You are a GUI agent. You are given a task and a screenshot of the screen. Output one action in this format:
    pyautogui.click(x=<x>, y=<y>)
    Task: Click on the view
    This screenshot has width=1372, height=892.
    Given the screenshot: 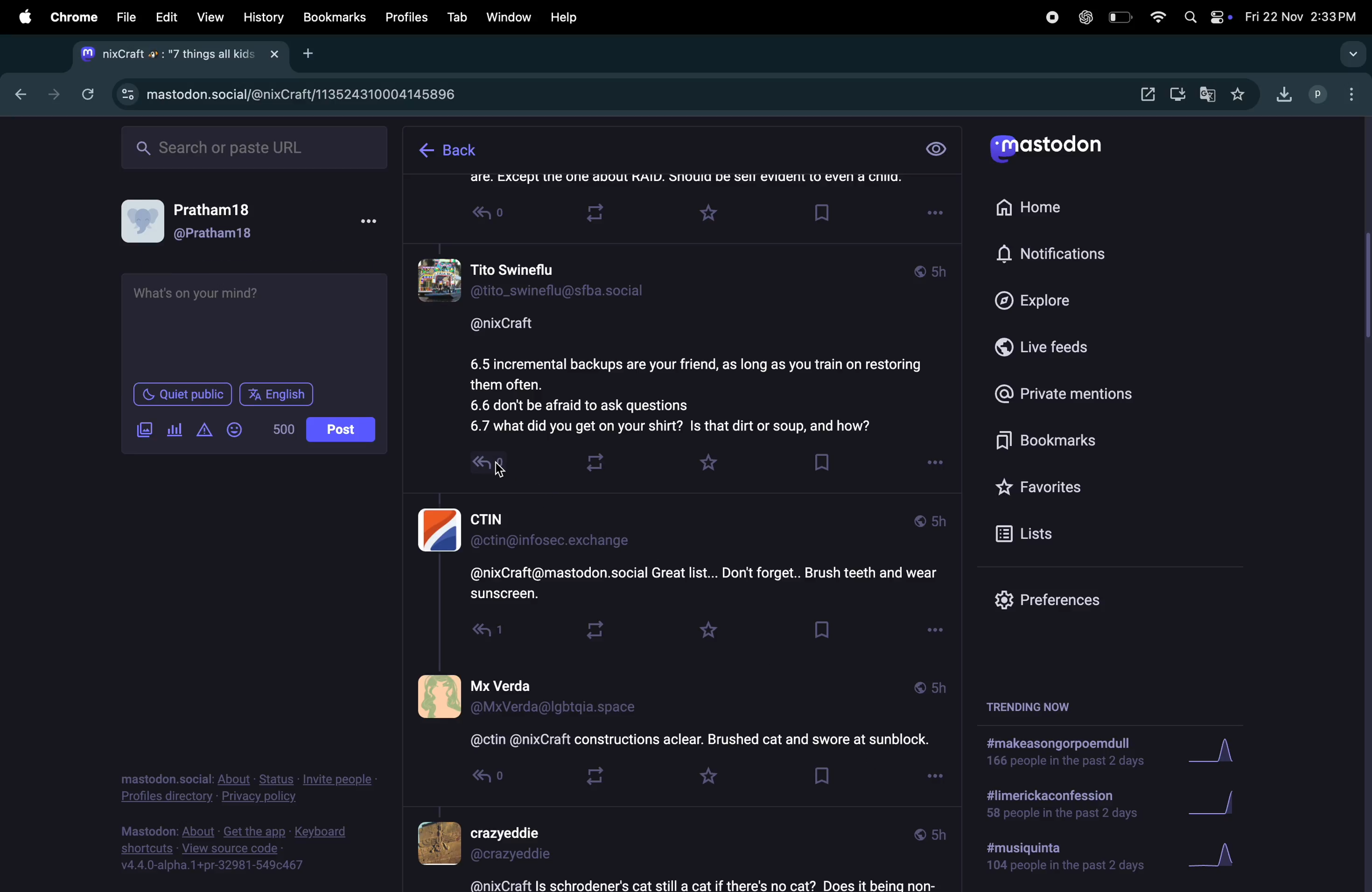 What is the action you would take?
    pyautogui.click(x=937, y=150)
    